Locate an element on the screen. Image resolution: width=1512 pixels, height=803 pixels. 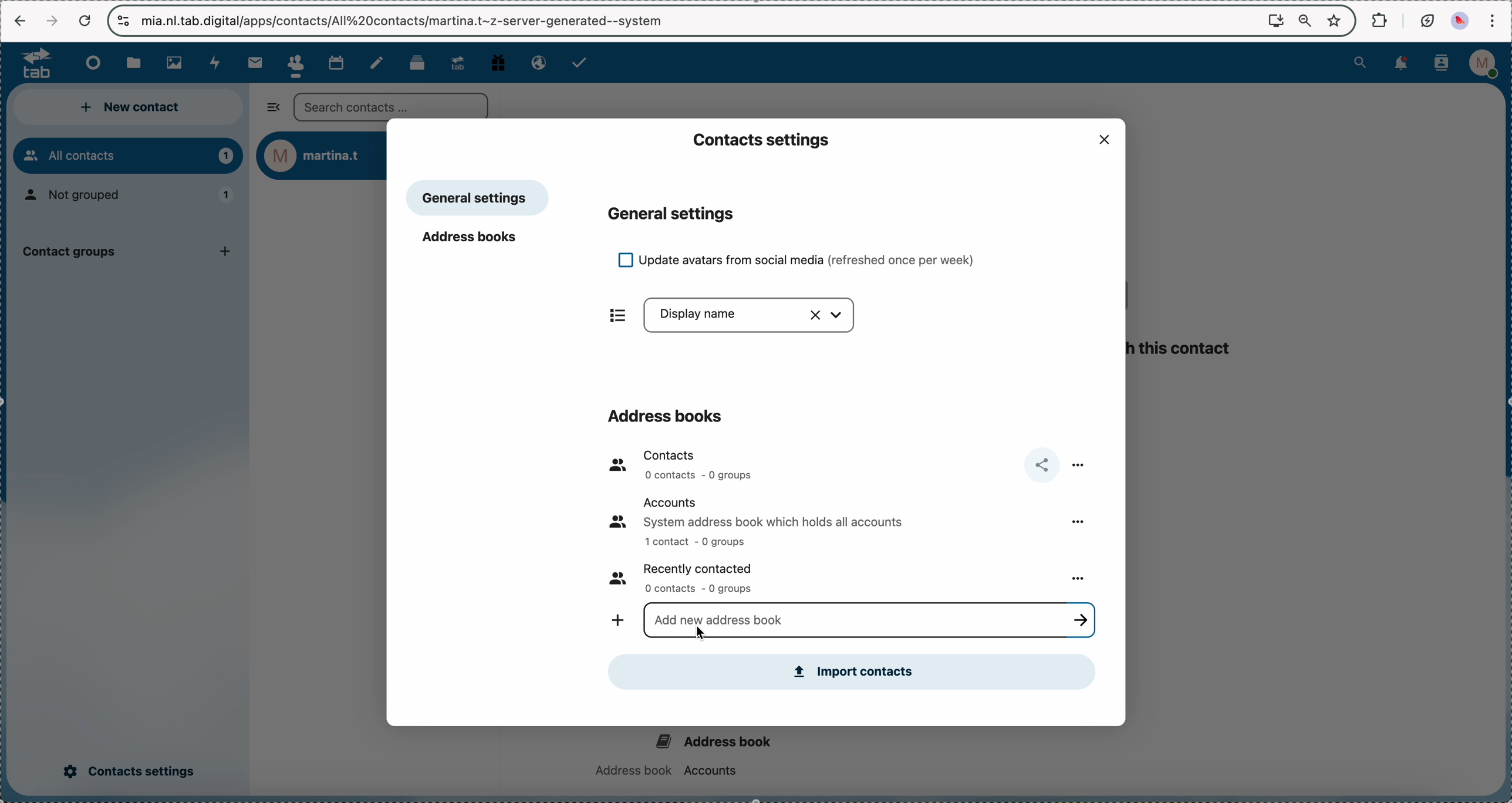
click for typing is located at coordinates (866, 620).